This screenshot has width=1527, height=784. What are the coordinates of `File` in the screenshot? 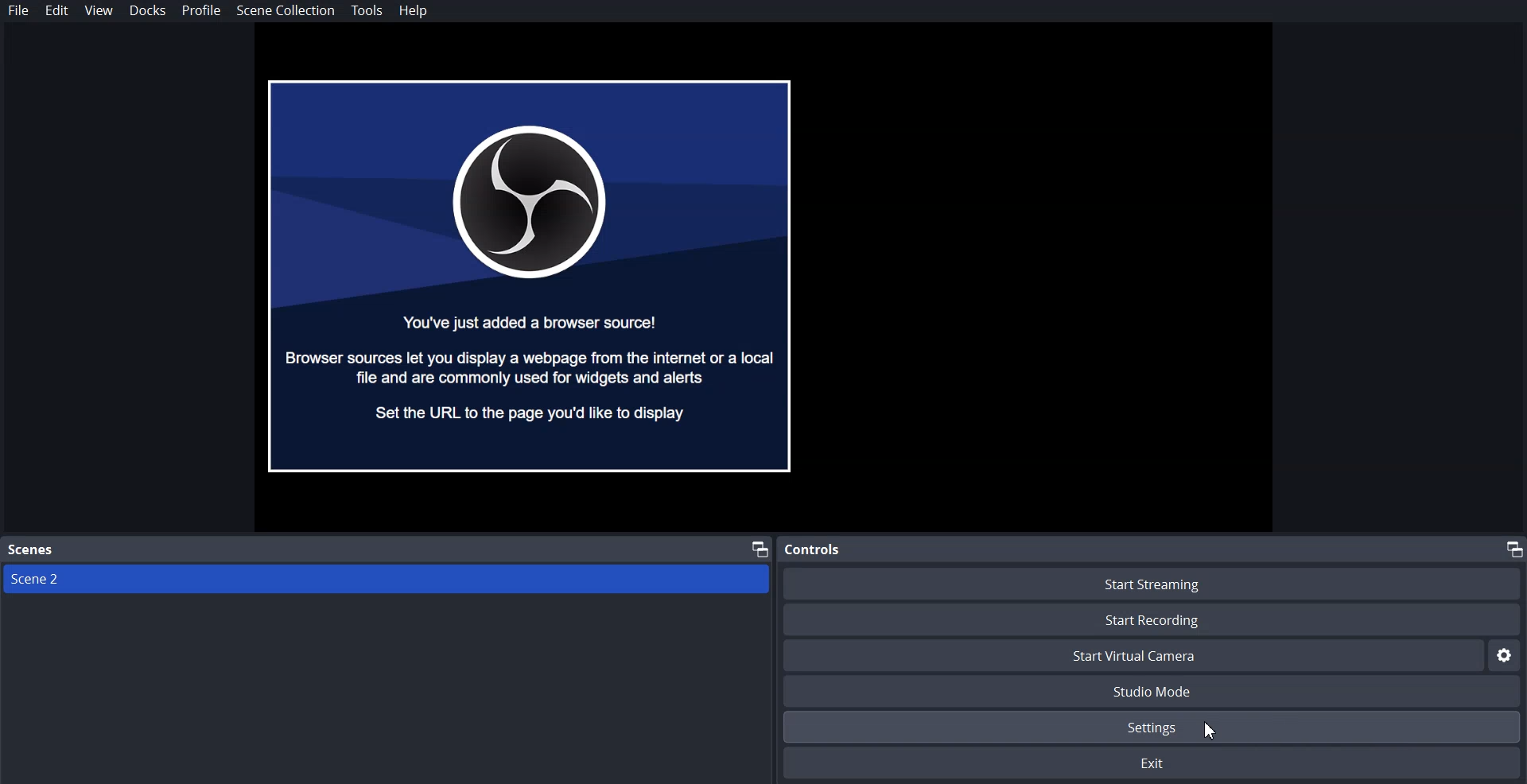 It's located at (19, 10).